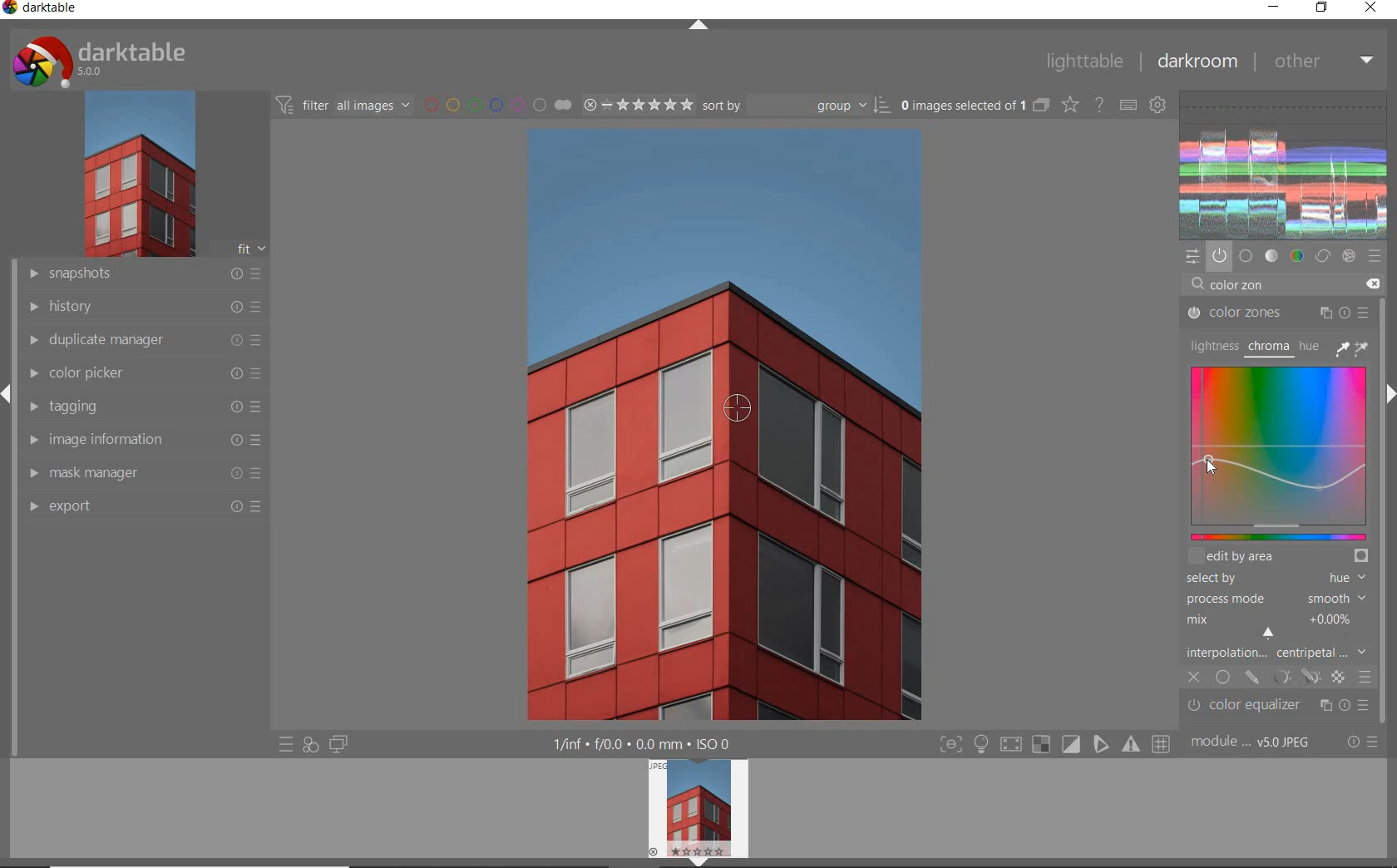 This screenshot has width=1397, height=868. Describe the element at coordinates (1274, 598) in the screenshot. I see `PROCESS MODE` at that location.